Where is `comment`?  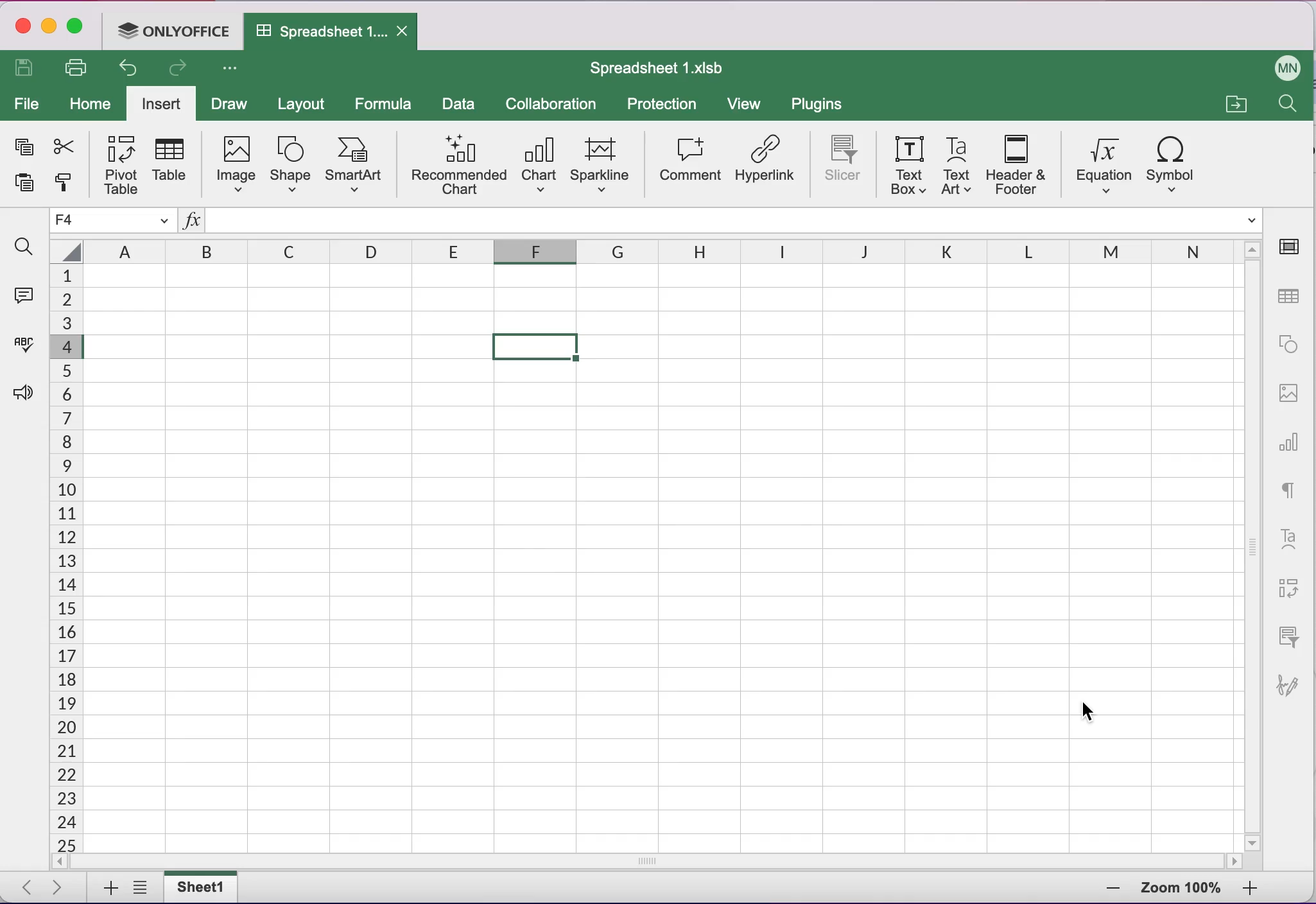 comment is located at coordinates (689, 163).